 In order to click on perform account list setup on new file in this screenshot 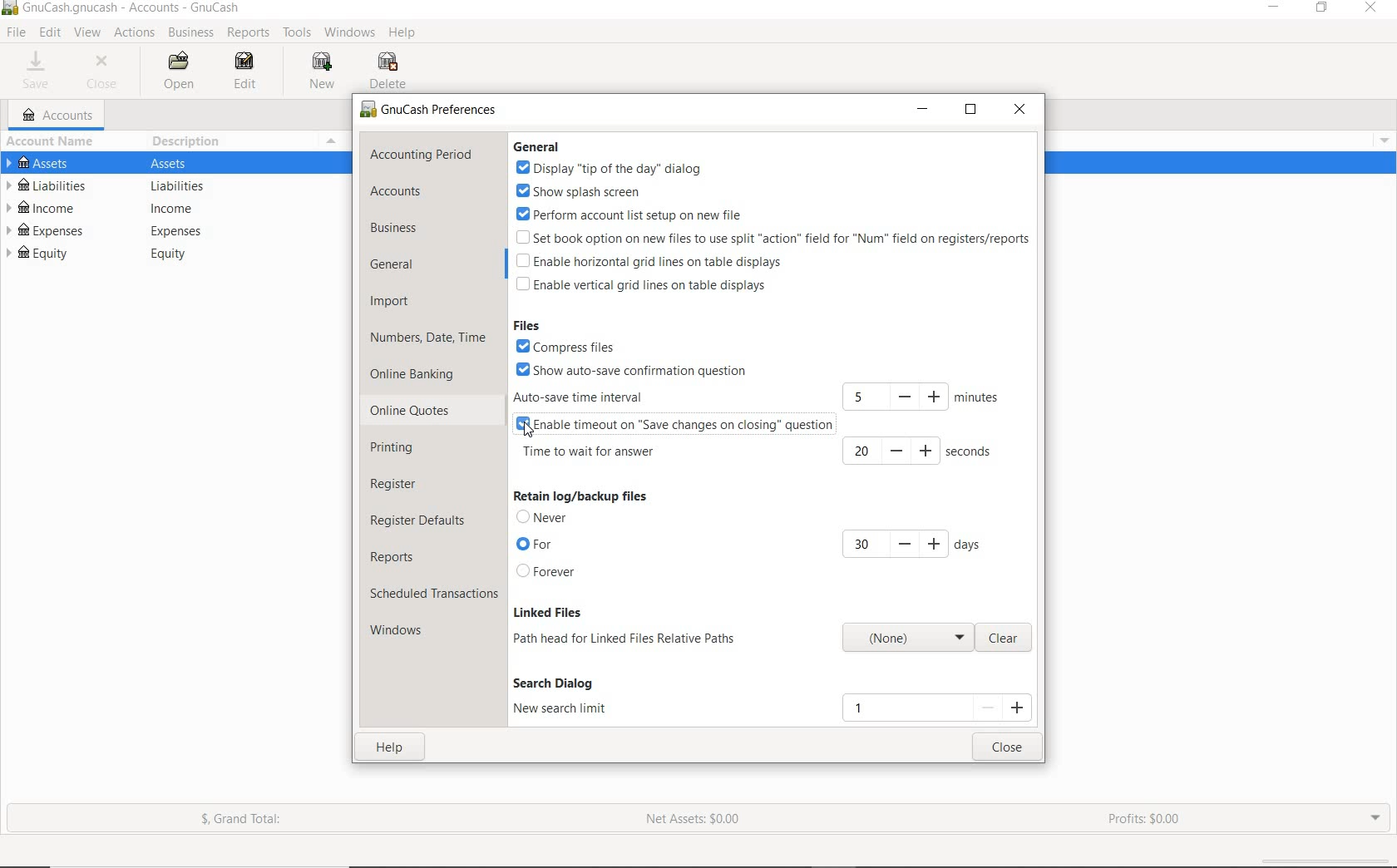, I will do `click(632, 215)`.